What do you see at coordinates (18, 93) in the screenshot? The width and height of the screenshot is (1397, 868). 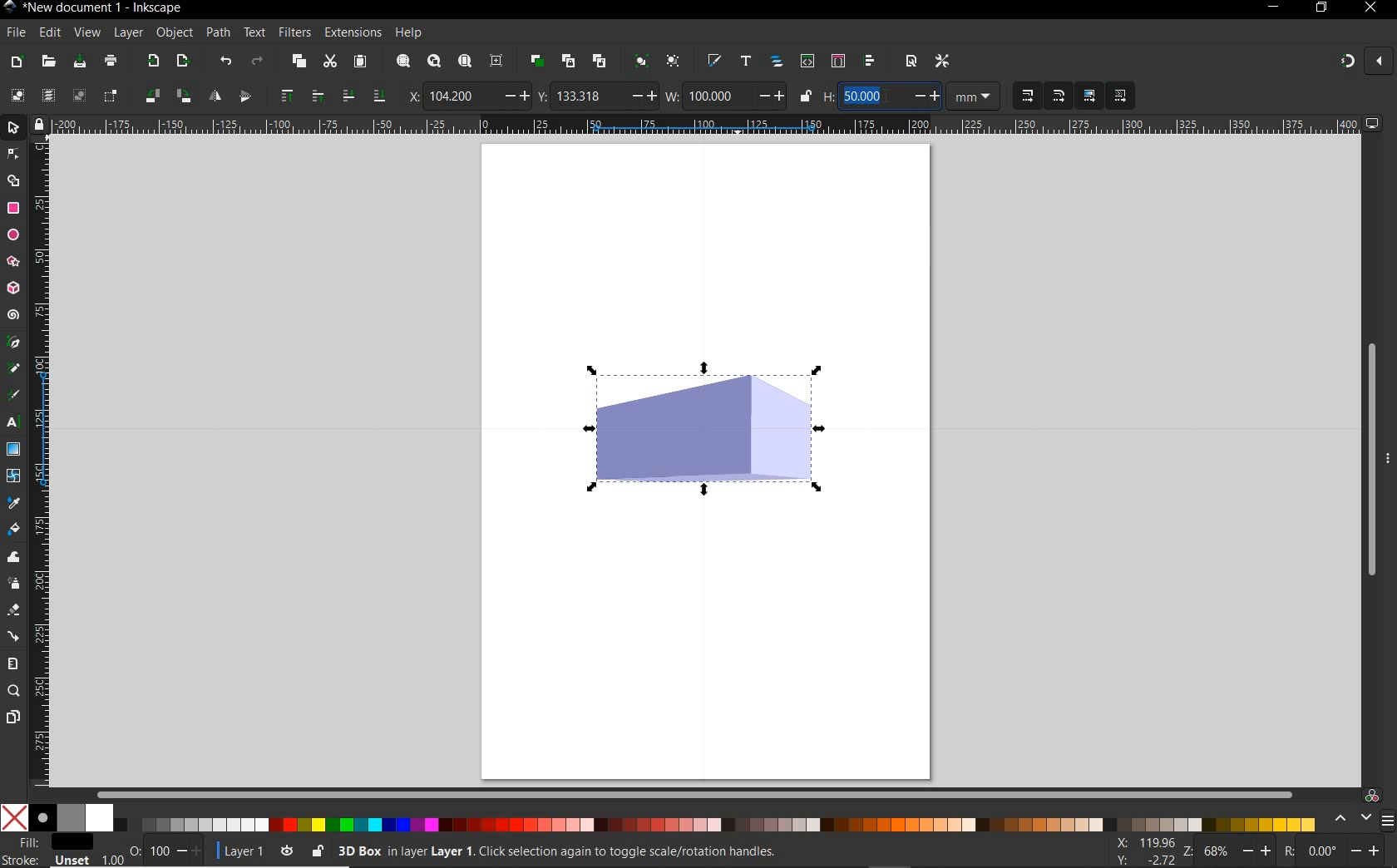 I see `select all` at bounding box center [18, 93].